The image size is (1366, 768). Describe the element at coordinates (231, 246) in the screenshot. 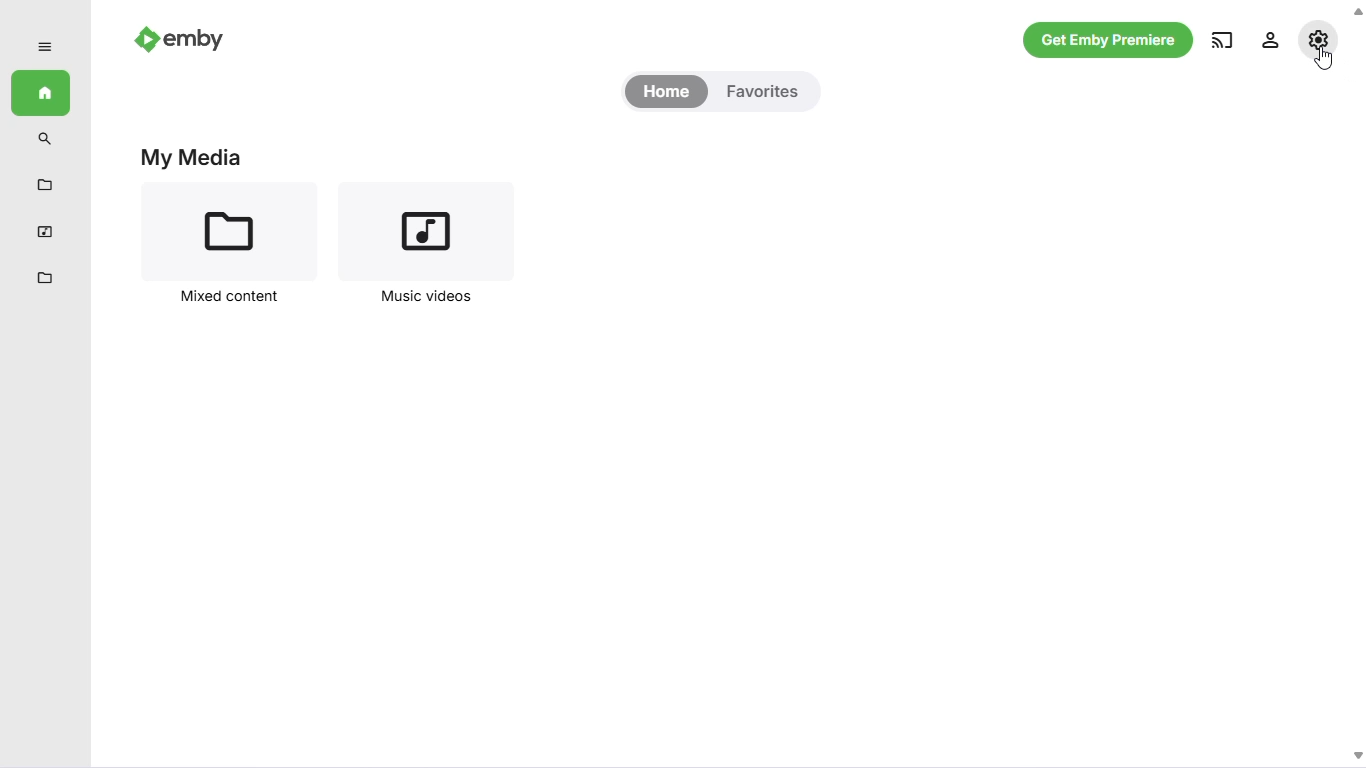

I see `mixed content` at that location.